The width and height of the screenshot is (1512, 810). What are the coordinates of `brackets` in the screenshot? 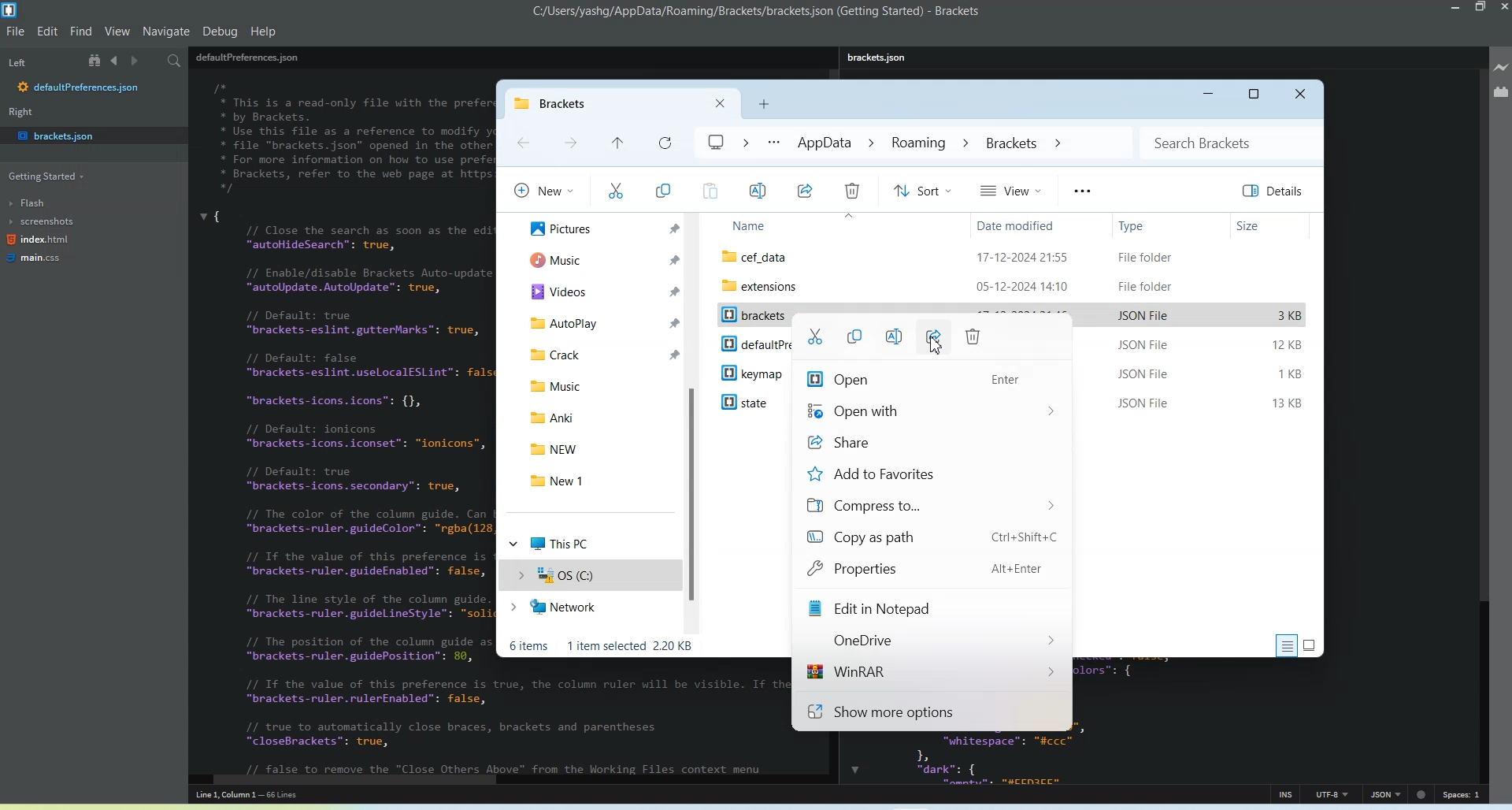 It's located at (751, 316).